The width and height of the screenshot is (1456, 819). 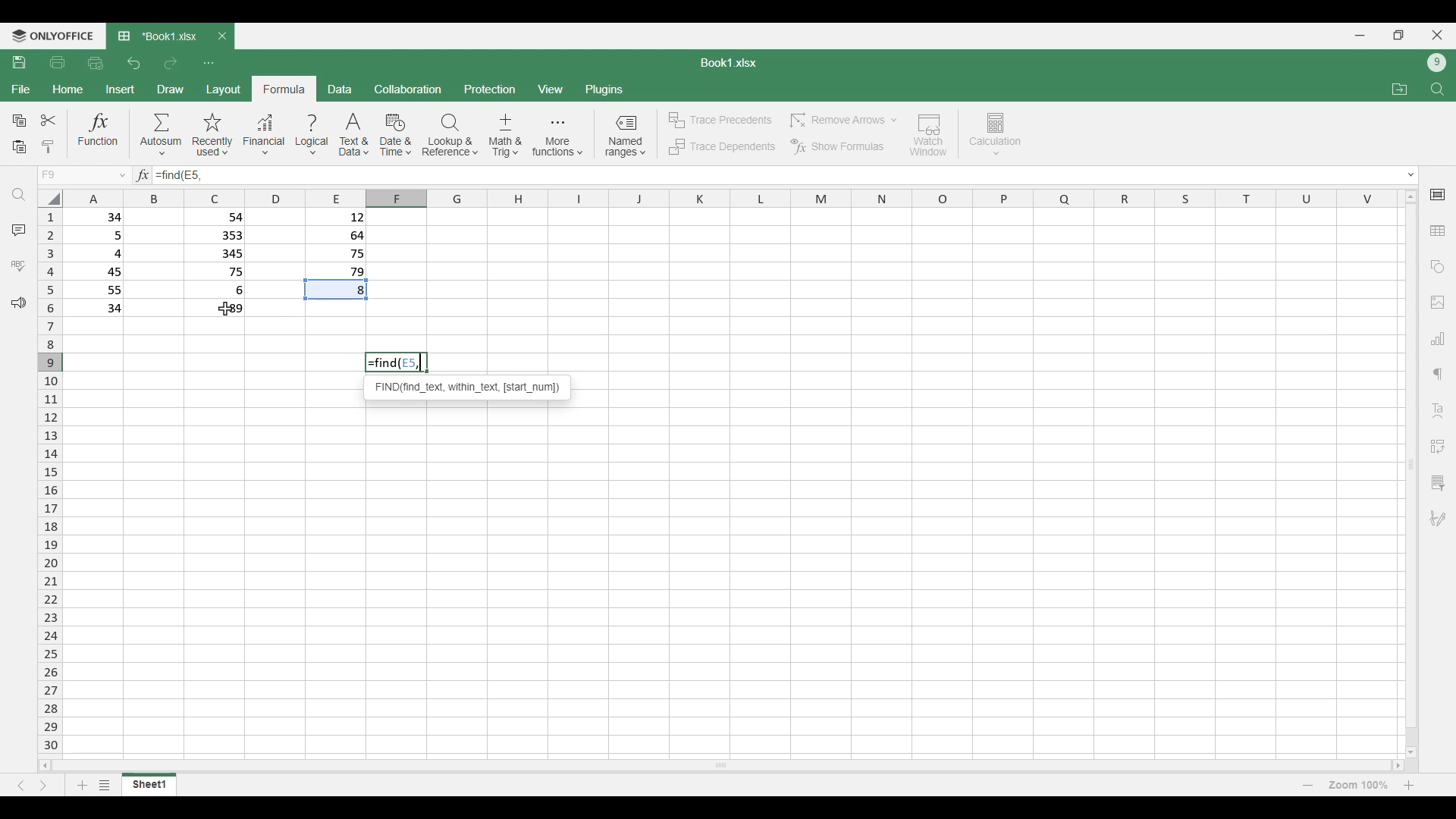 I want to click on Plugins menu, so click(x=604, y=89).